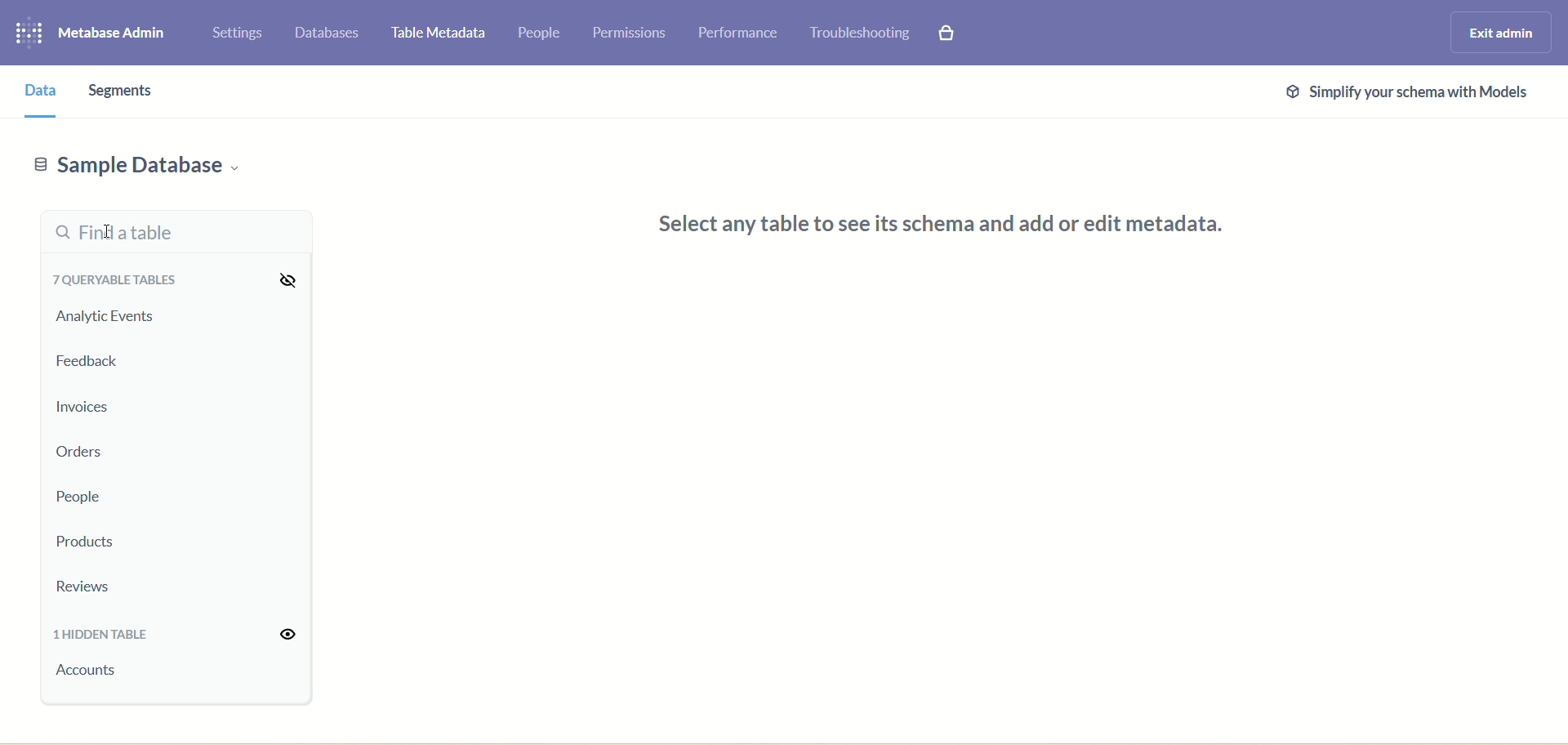 The height and width of the screenshot is (745, 1568). Describe the element at coordinates (858, 33) in the screenshot. I see `trouble shooting` at that location.